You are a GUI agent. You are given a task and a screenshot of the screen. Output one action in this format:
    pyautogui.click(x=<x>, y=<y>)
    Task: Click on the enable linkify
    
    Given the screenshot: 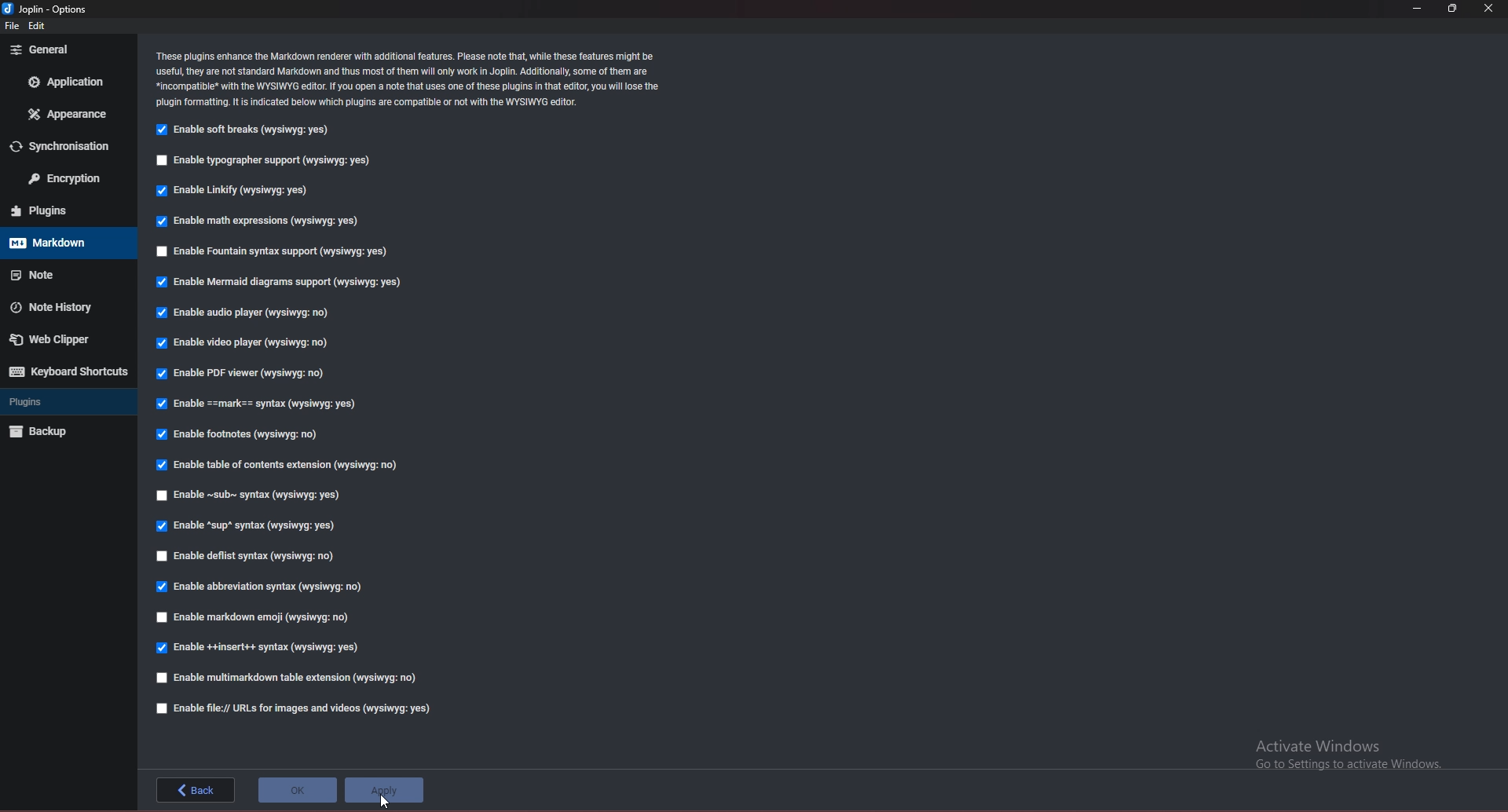 What is the action you would take?
    pyautogui.click(x=239, y=189)
    